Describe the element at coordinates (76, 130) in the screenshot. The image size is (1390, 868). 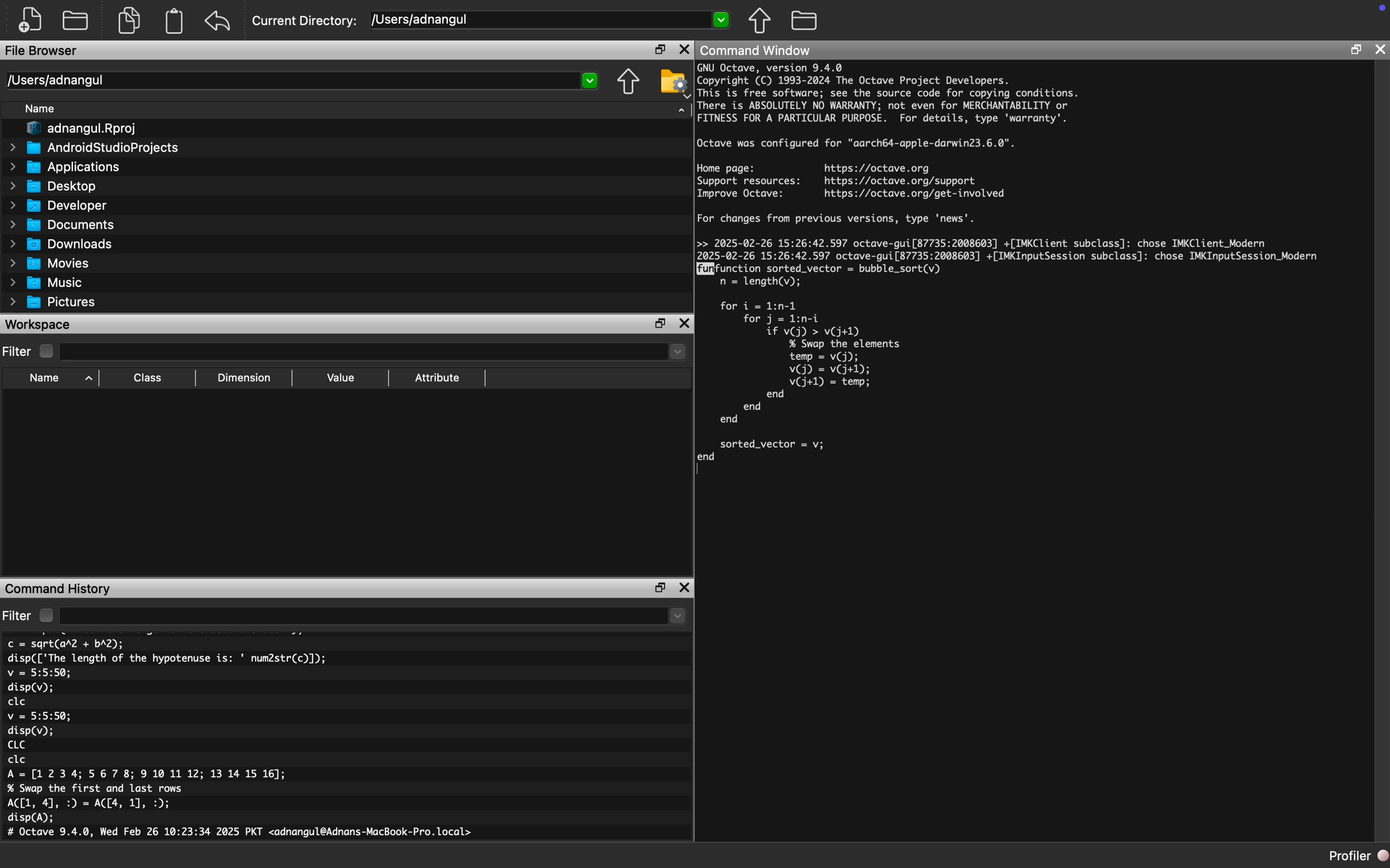
I see `adnangul.Rproj` at that location.